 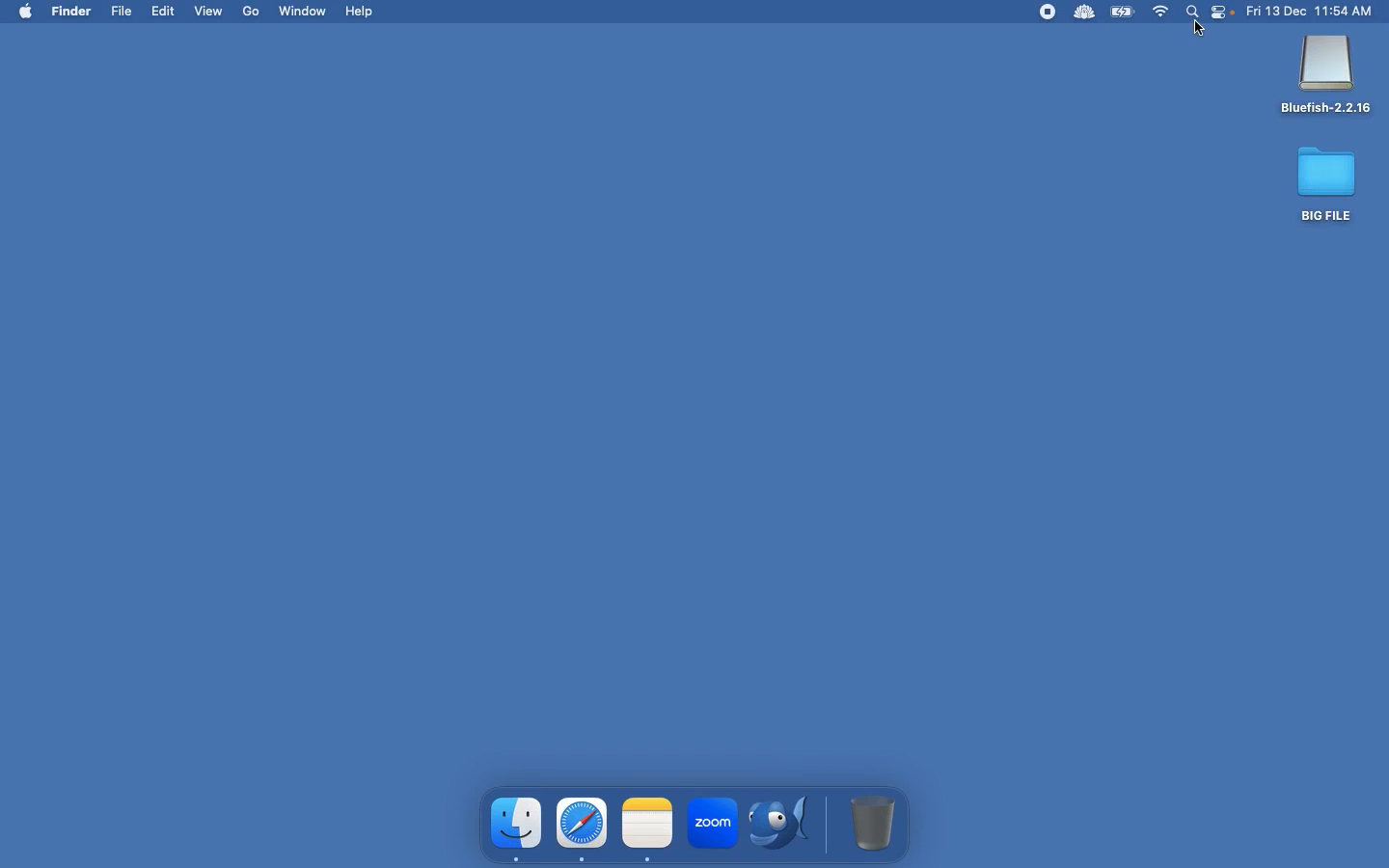 What do you see at coordinates (25, 10) in the screenshot?
I see `mac logo` at bounding box center [25, 10].